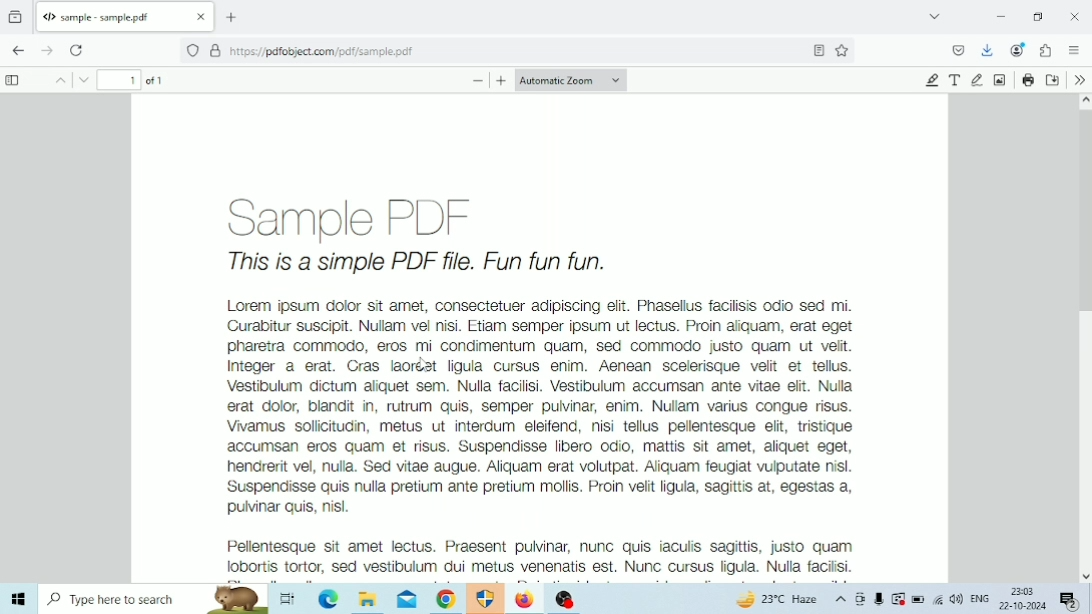 The height and width of the screenshot is (614, 1092). I want to click on List all tabs, so click(934, 16).